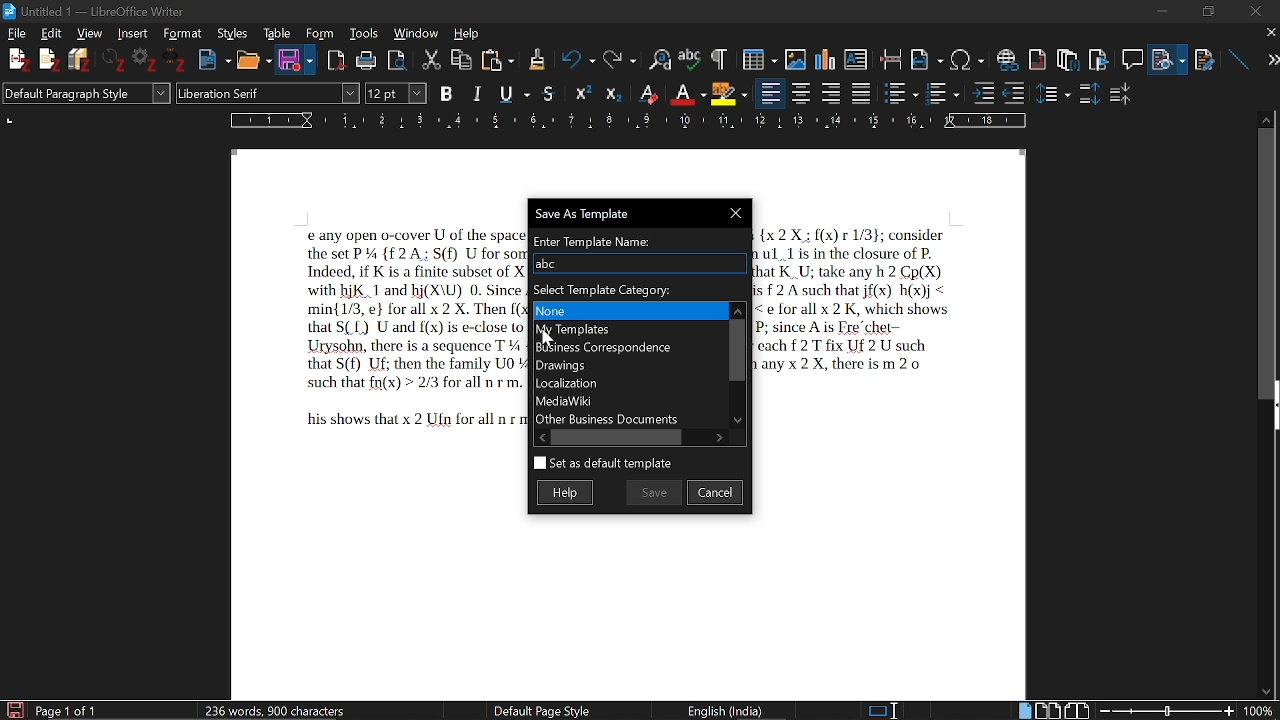 The width and height of the screenshot is (1280, 720). I want to click on Name of the template, so click(638, 263).